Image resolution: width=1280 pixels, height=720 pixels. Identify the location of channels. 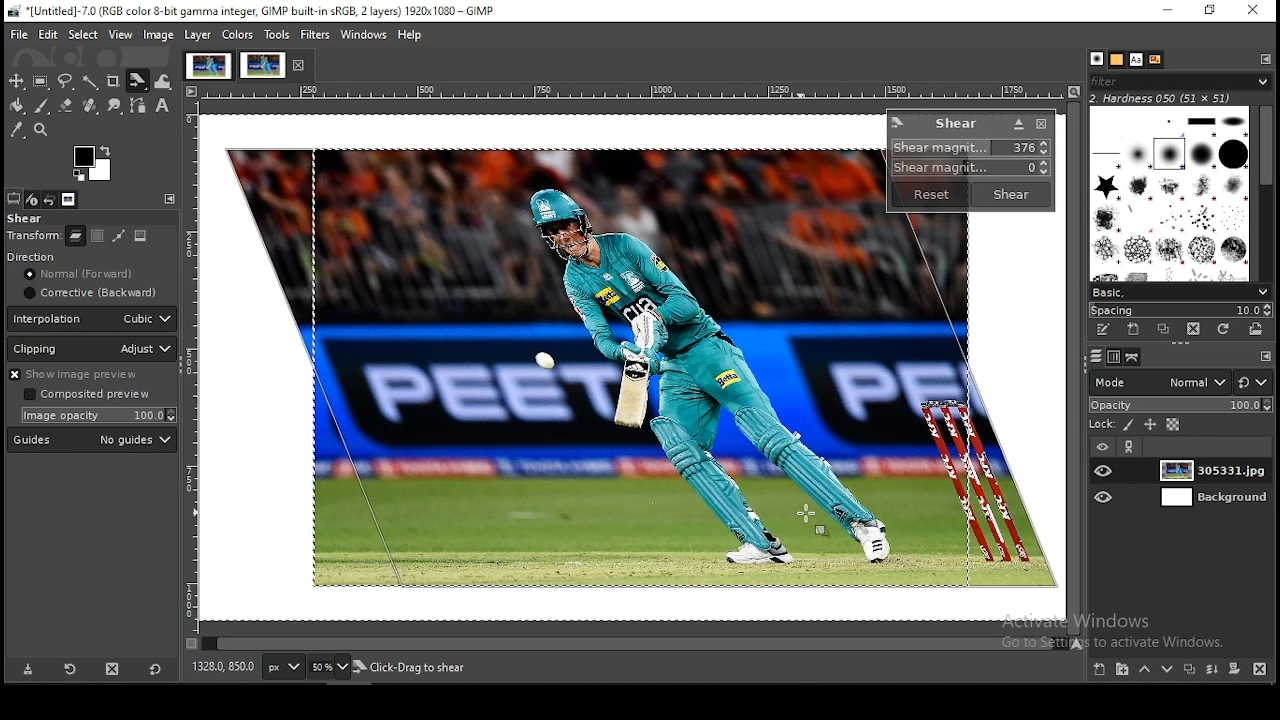
(1116, 357).